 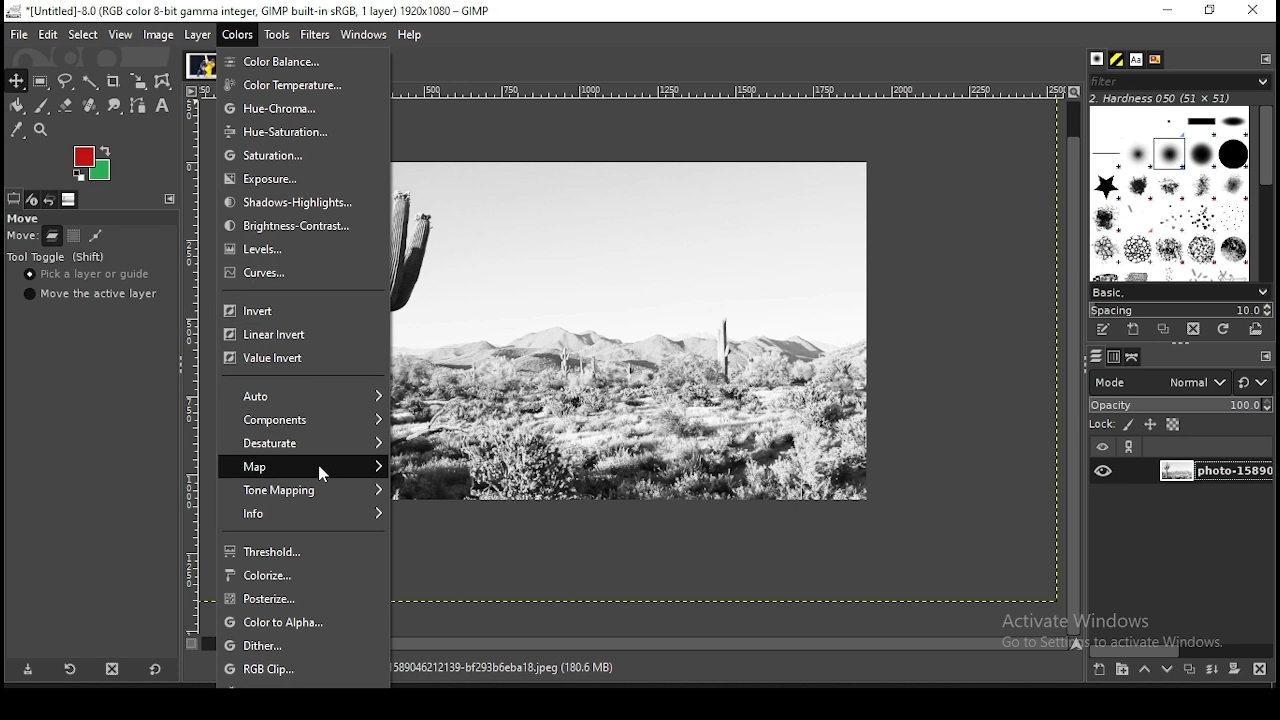 I want to click on move layers, so click(x=52, y=235).